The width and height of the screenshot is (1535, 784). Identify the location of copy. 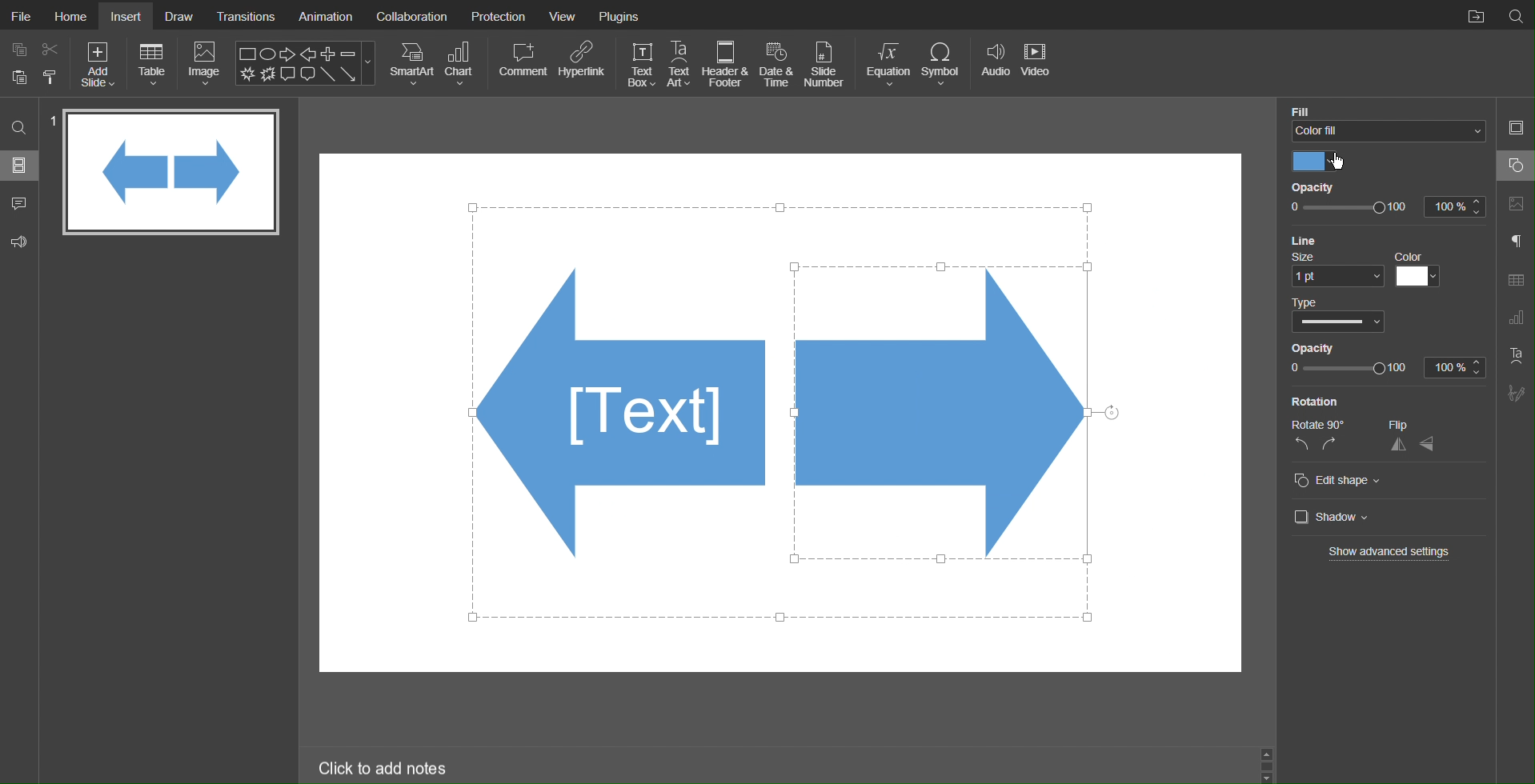
(18, 48).